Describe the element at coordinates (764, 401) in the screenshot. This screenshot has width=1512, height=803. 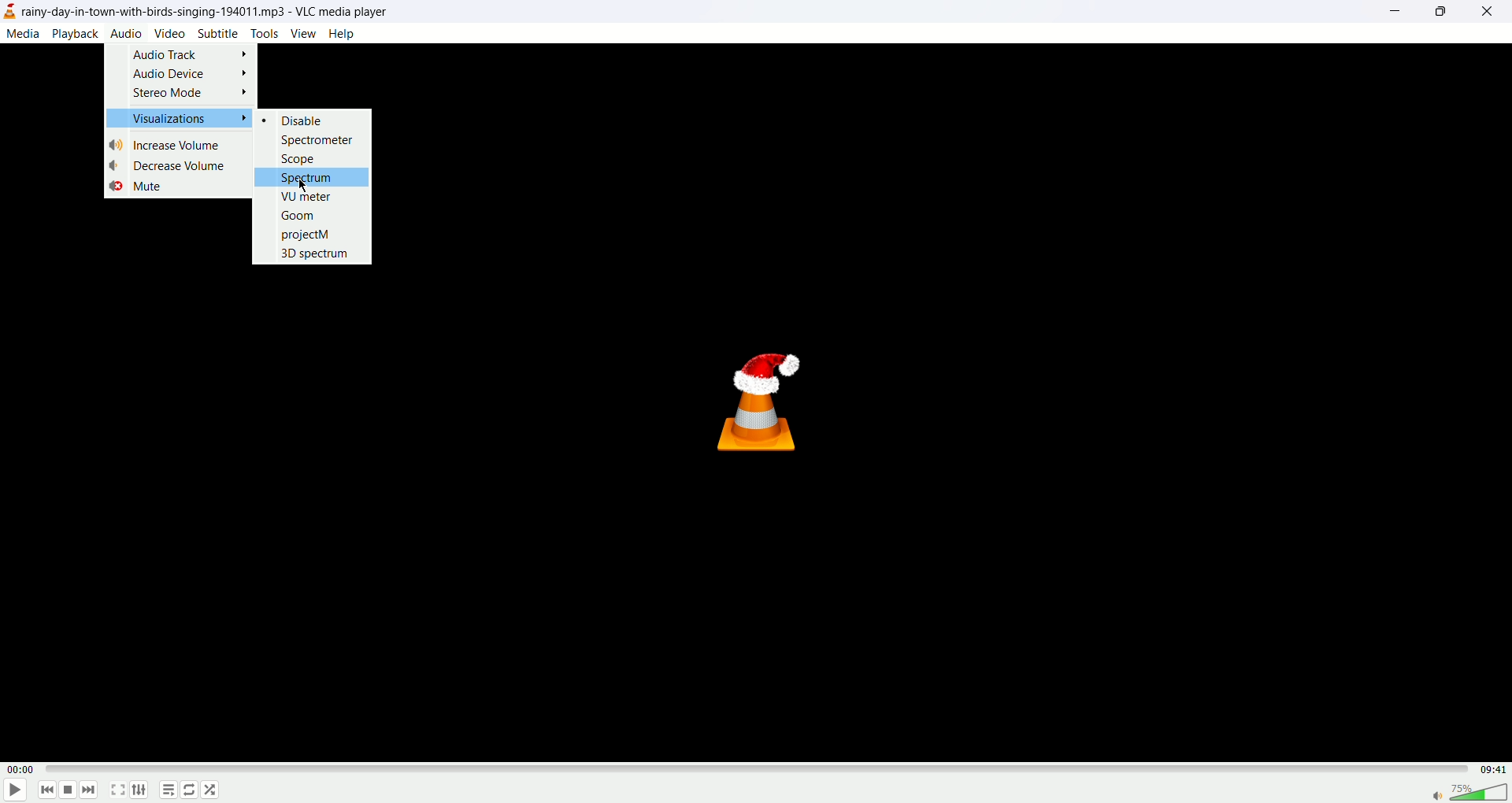
I see `VLC Icon` at that location.